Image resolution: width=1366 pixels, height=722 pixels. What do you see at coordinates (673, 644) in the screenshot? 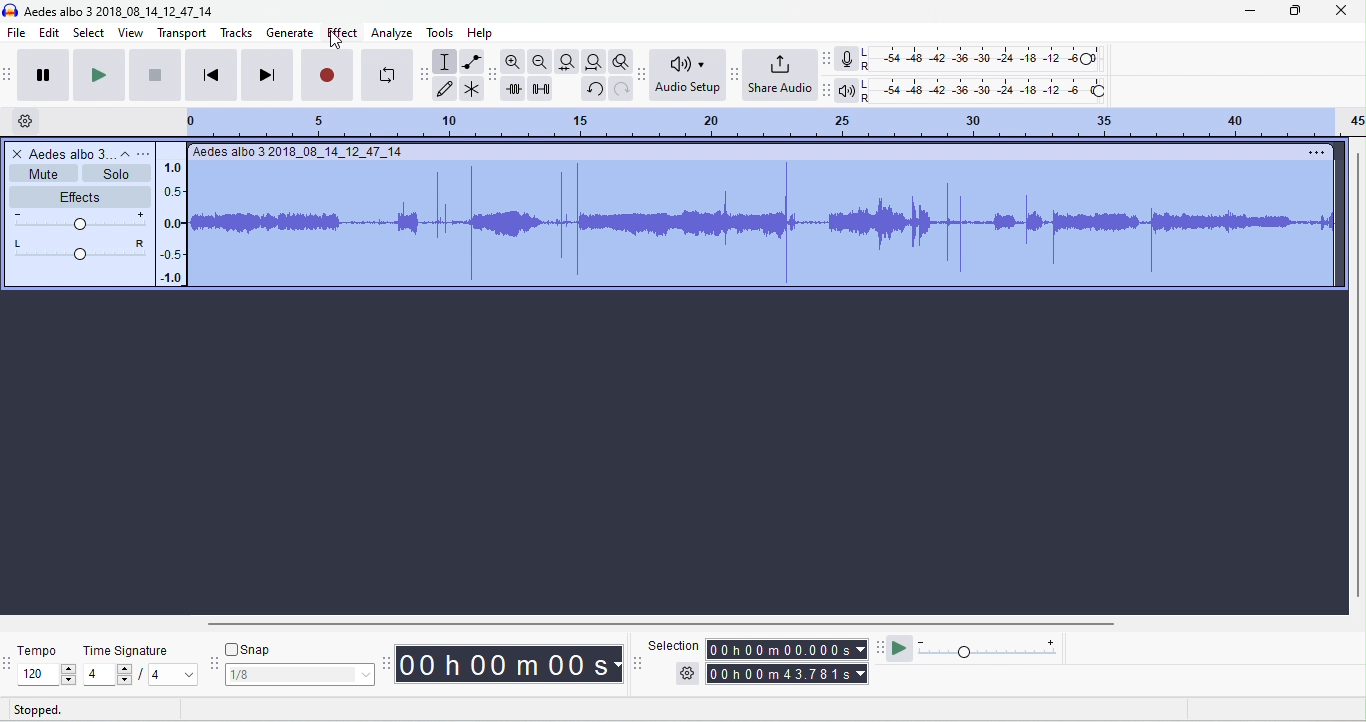
I see `selection` at bounding box center [673, 644].